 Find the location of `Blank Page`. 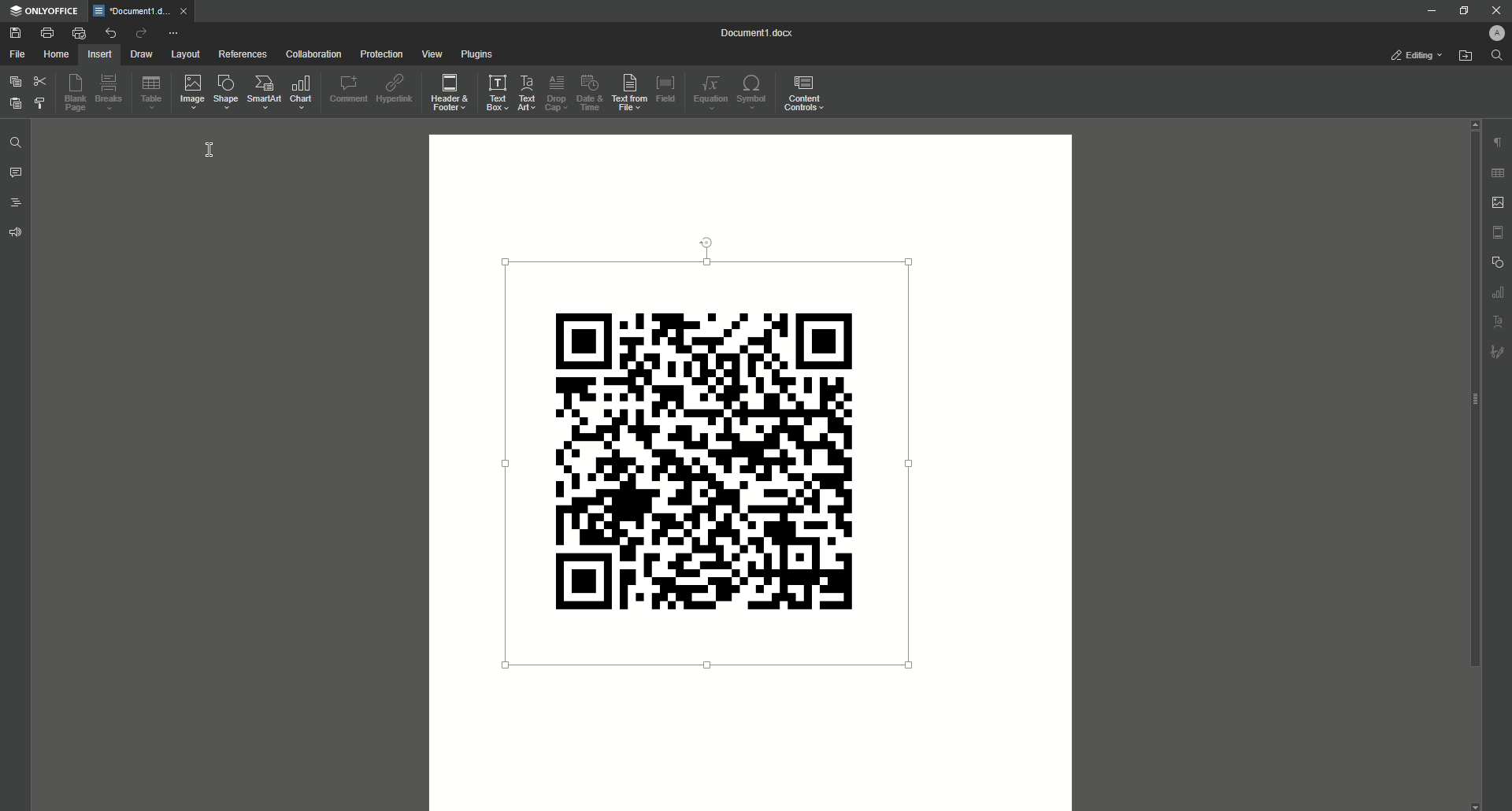

Blank Page is located at coordinates (76, 94).